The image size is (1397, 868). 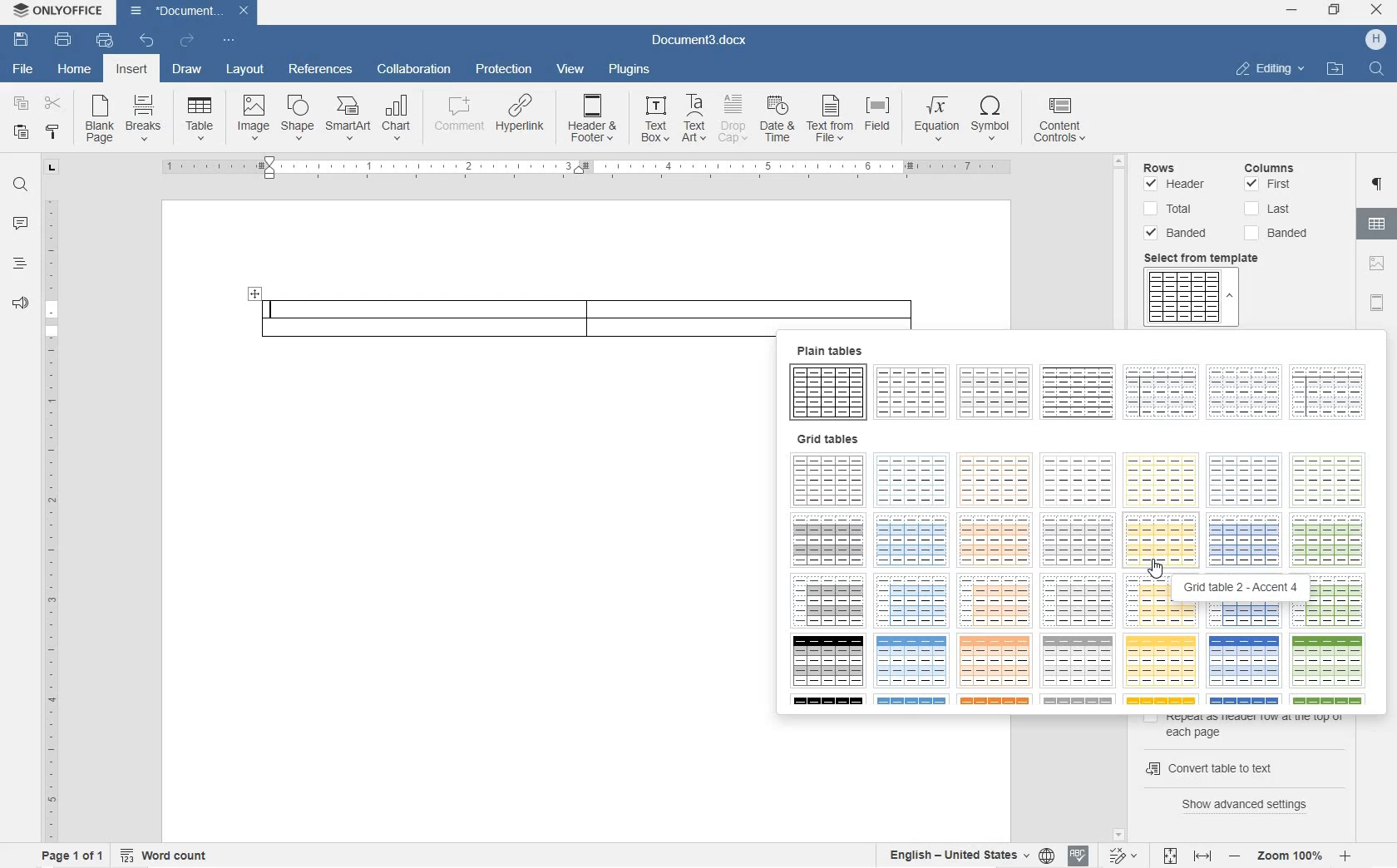 What do you see at coordinates (1121, 237) in the screenshot?
I see `SCROLLBAR` at bounding box center [1121, 237].